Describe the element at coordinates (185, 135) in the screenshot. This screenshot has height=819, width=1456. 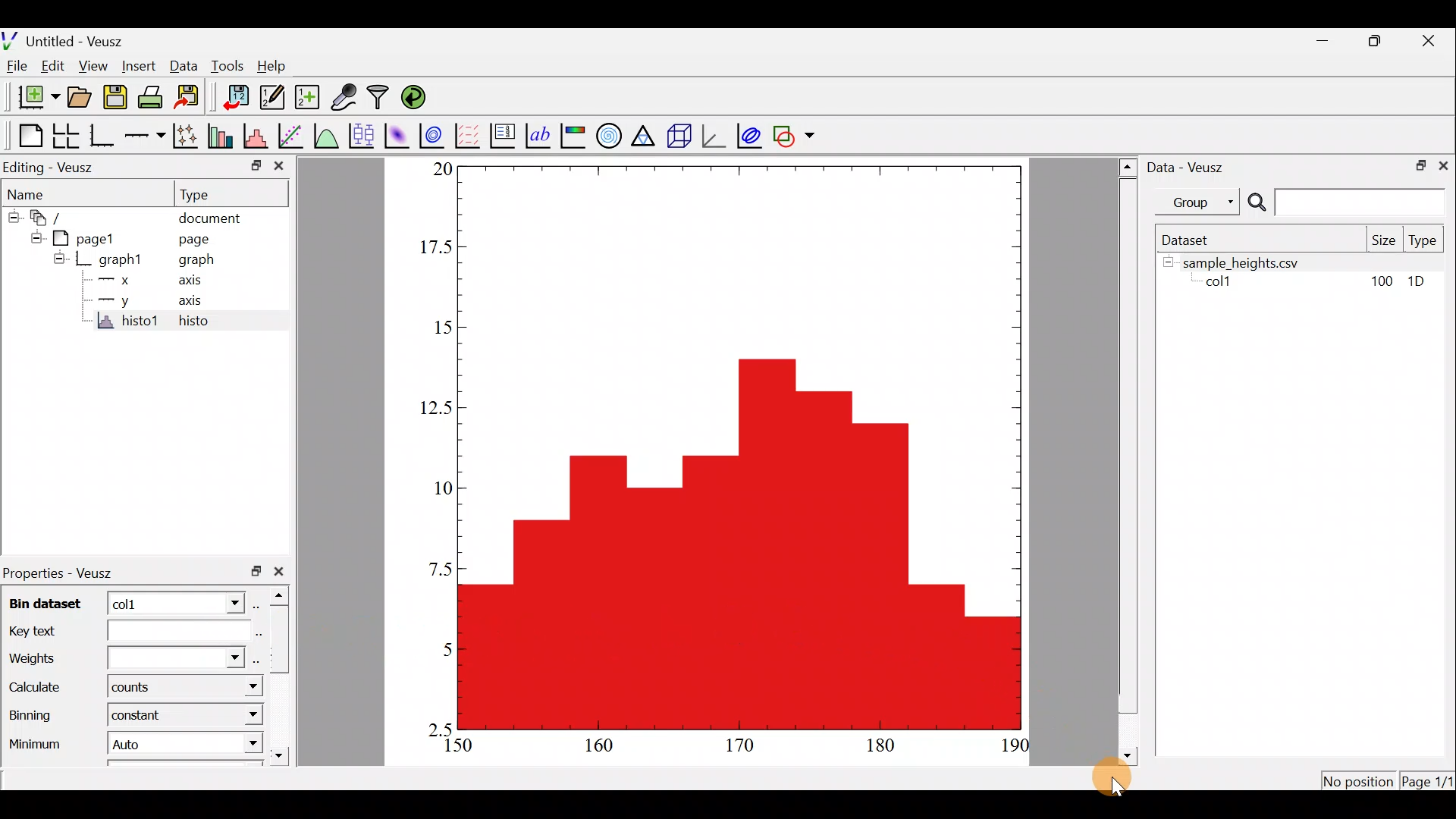
I see `plot points with lines and error bars` at that location.